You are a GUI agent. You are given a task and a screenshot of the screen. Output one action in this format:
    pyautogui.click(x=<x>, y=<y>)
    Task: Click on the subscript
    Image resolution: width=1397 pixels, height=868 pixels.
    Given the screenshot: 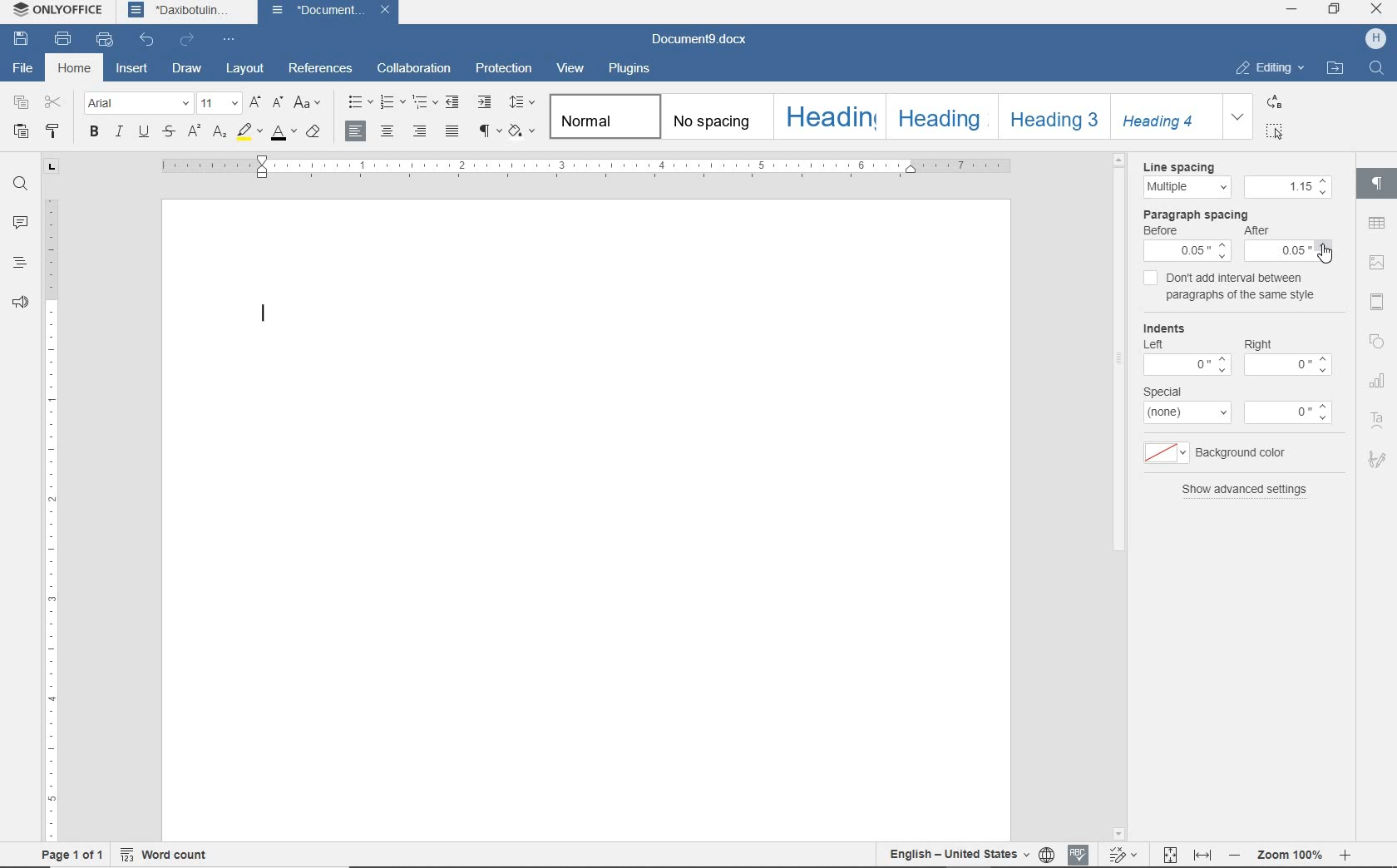 What is the action you would take?
    pyautogui.click(x=220, y=134)
    